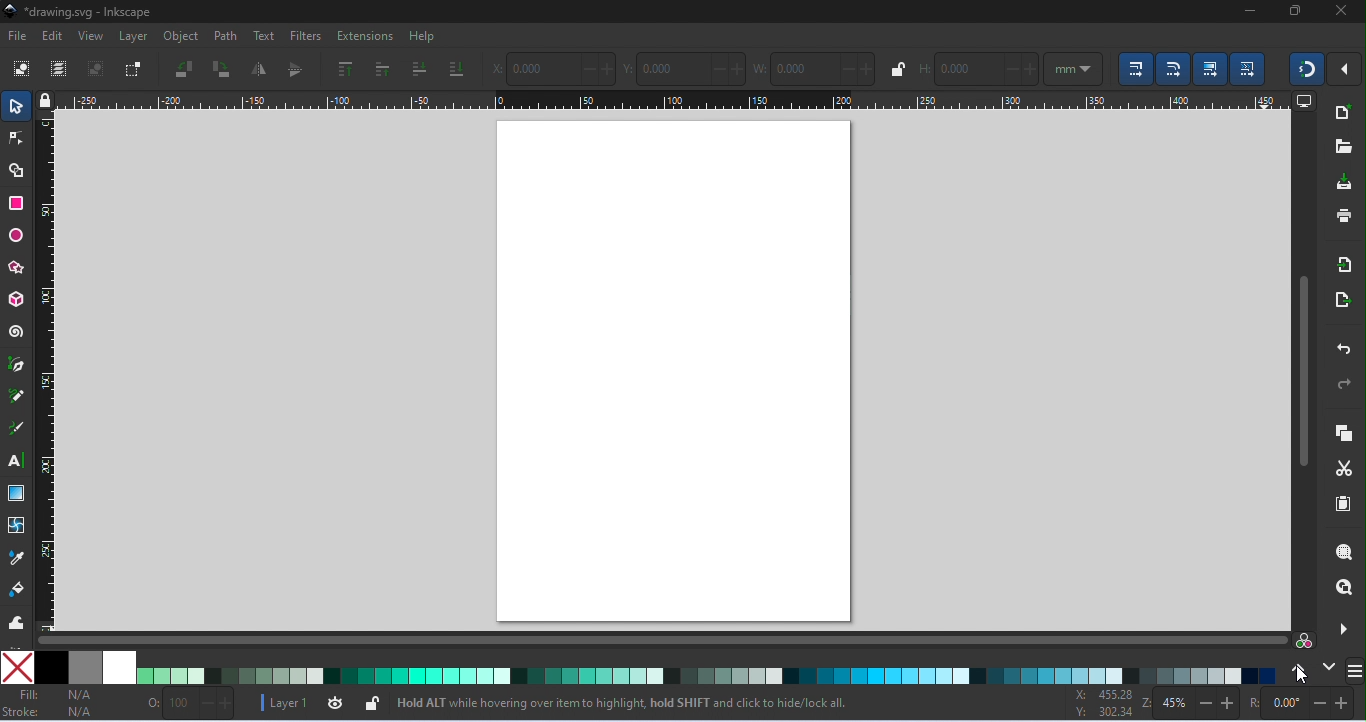 The height and width of the screenshot is (722, 1366). I want to click on display options, so click(1305, 102).